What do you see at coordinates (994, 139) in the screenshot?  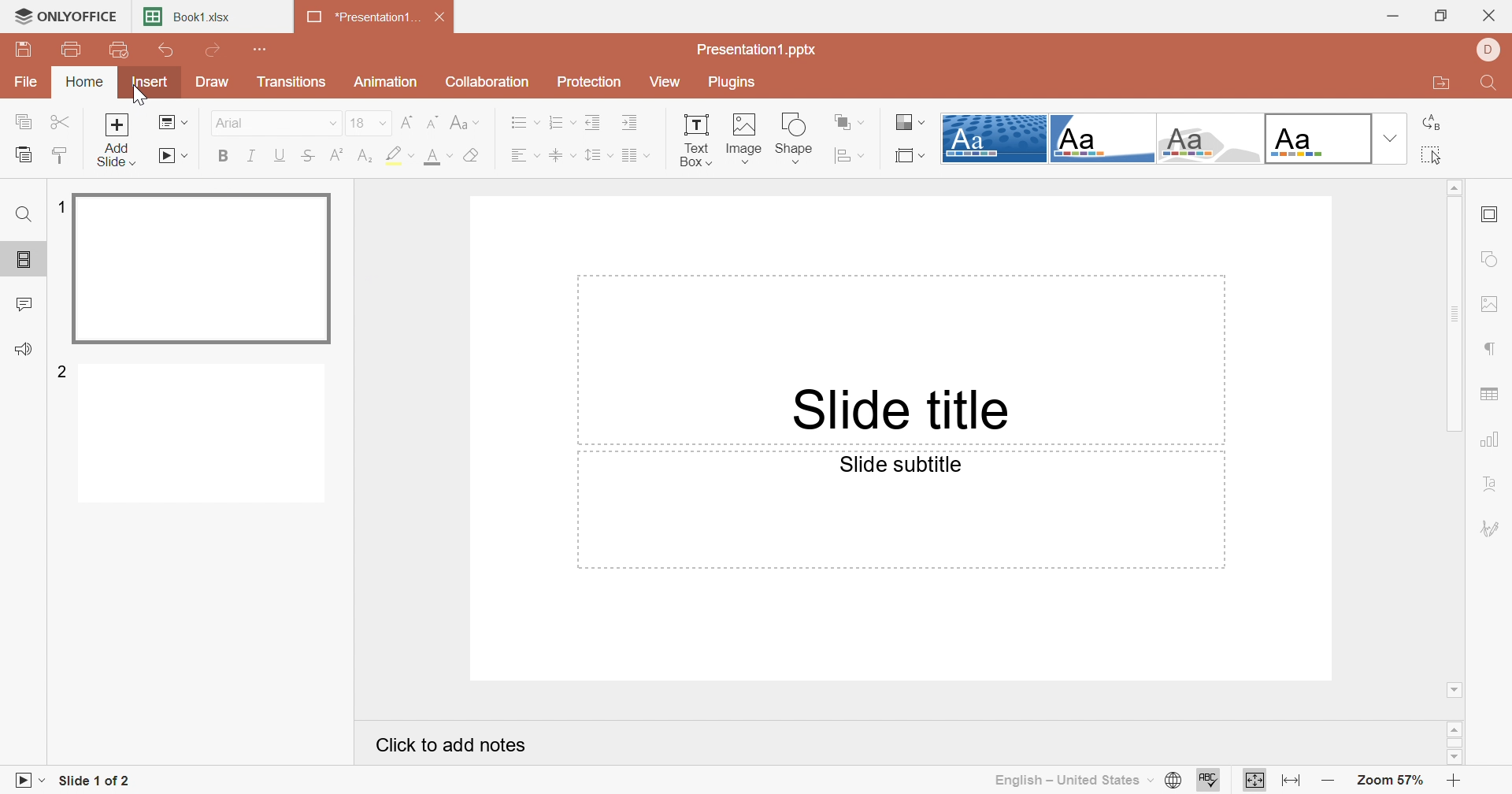 I see `Dotted` at bounding box center [994, 139].